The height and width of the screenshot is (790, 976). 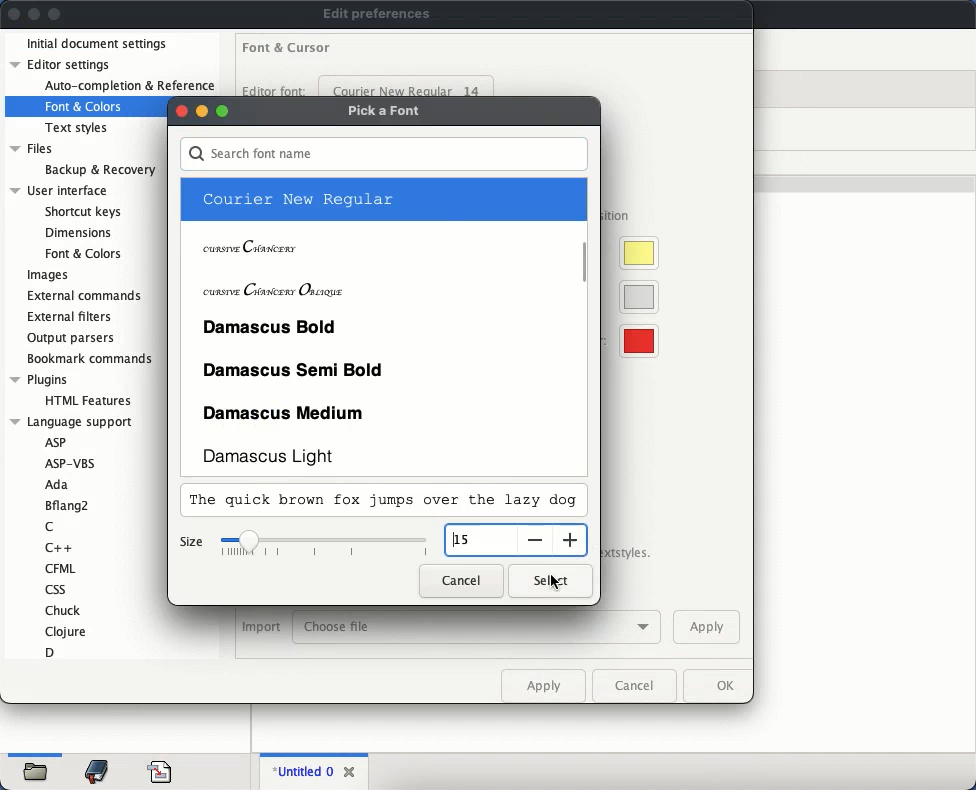 What do you see at coordinates (129, 86) in the screenshot?
I see `auto completion ` at bounding box center [129, 86].